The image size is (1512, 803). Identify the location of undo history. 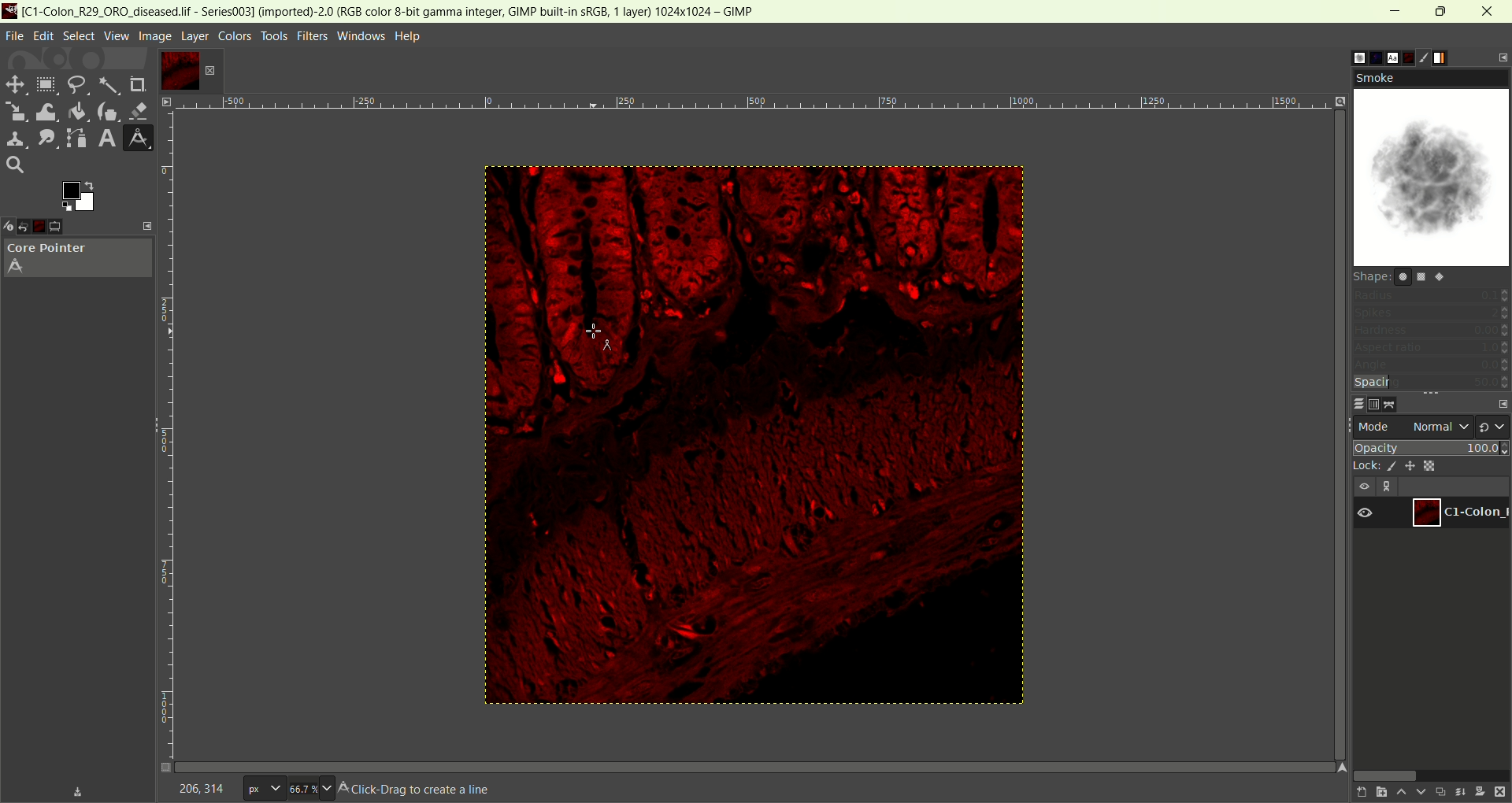
(29, 228).